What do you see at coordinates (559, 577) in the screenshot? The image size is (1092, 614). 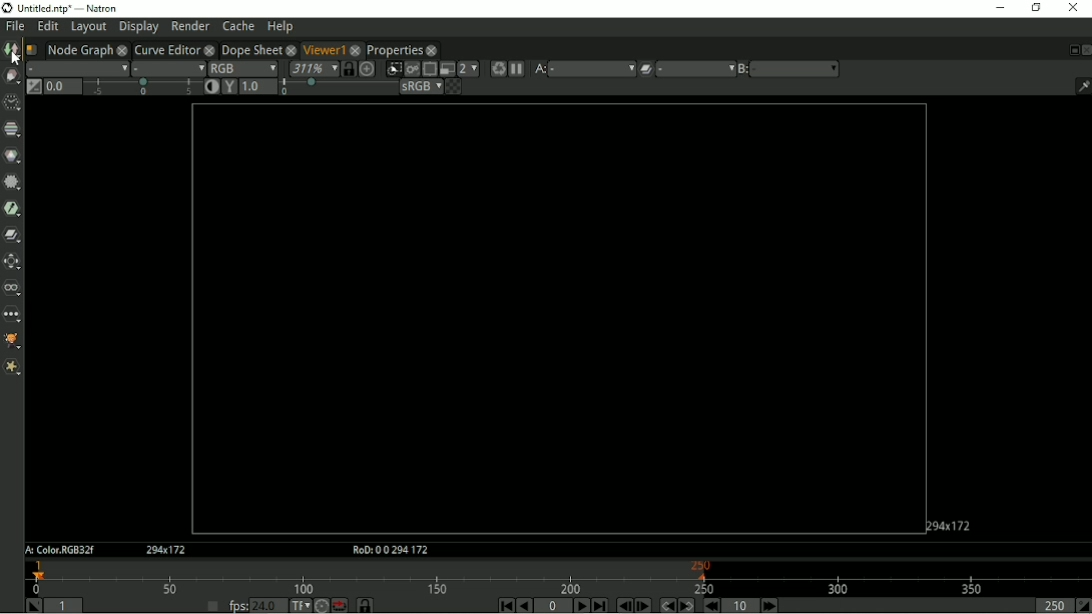 I see `Timeline` at bounding box center [559, 577].